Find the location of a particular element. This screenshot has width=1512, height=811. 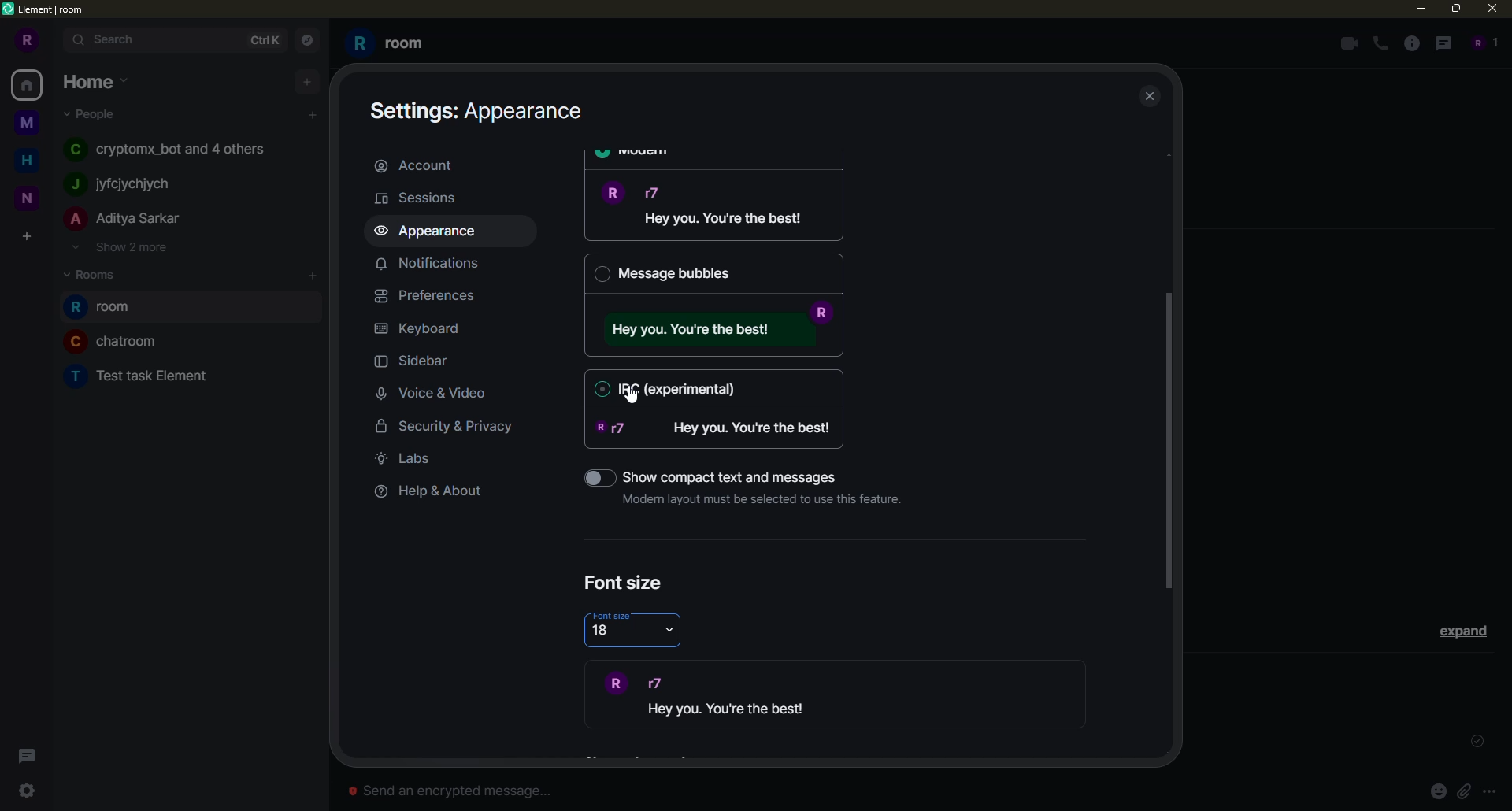

expand is located at coordinates (57, 41).